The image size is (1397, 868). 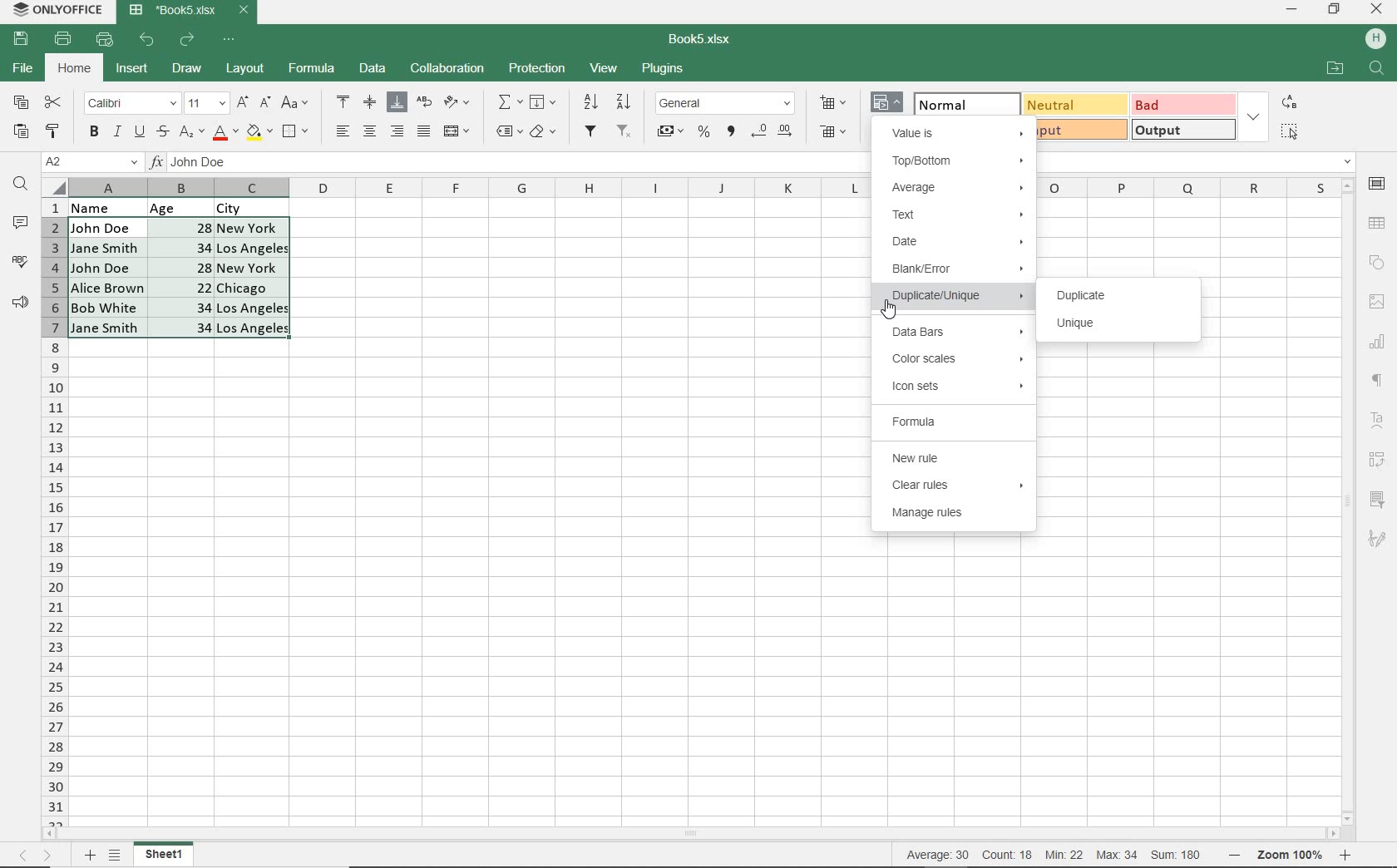 What do you see at coordinates (243, 70) in the screenshot?
I see `LAYOUT` at bounding box center [243, 70].